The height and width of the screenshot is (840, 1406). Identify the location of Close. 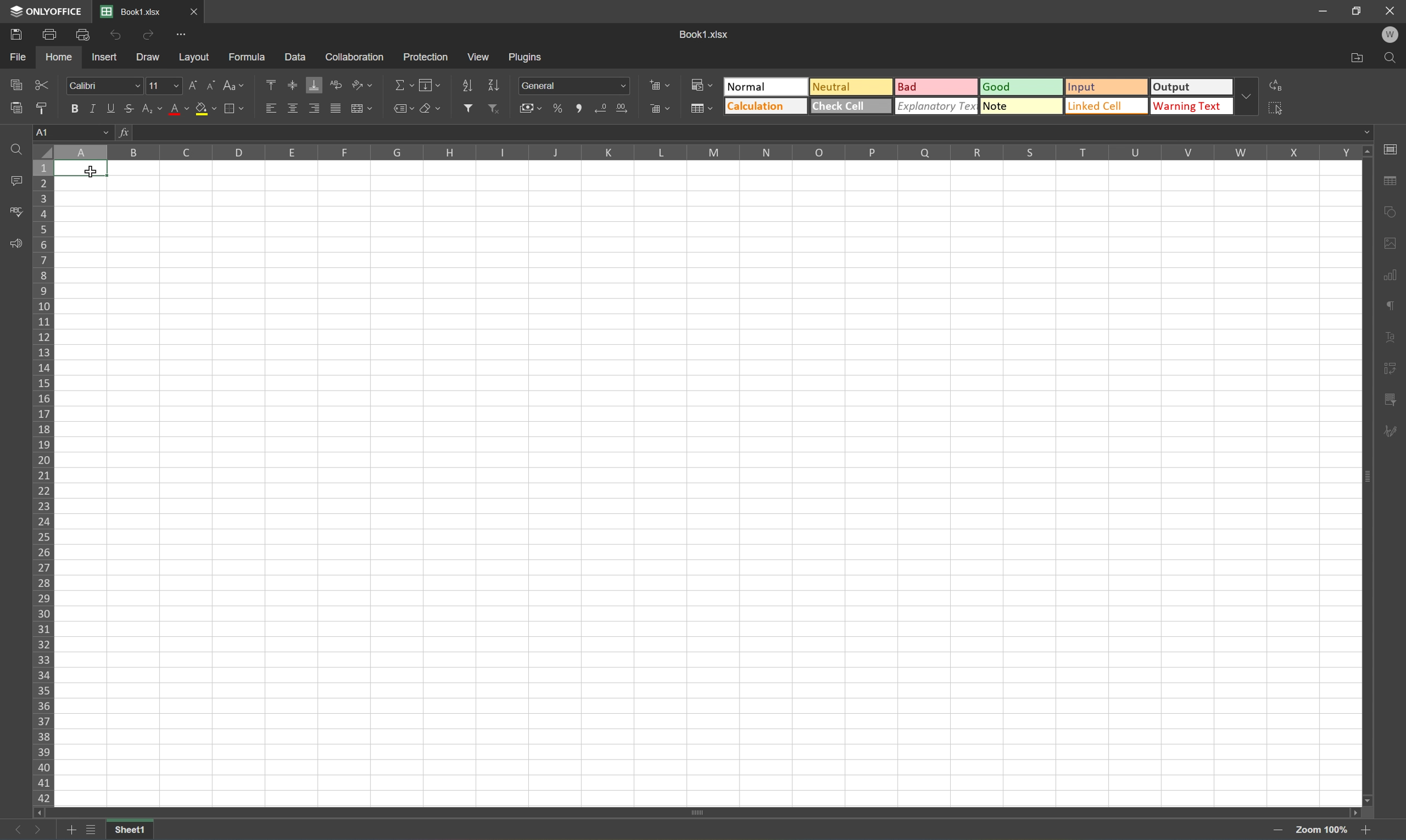
(1390, 11).